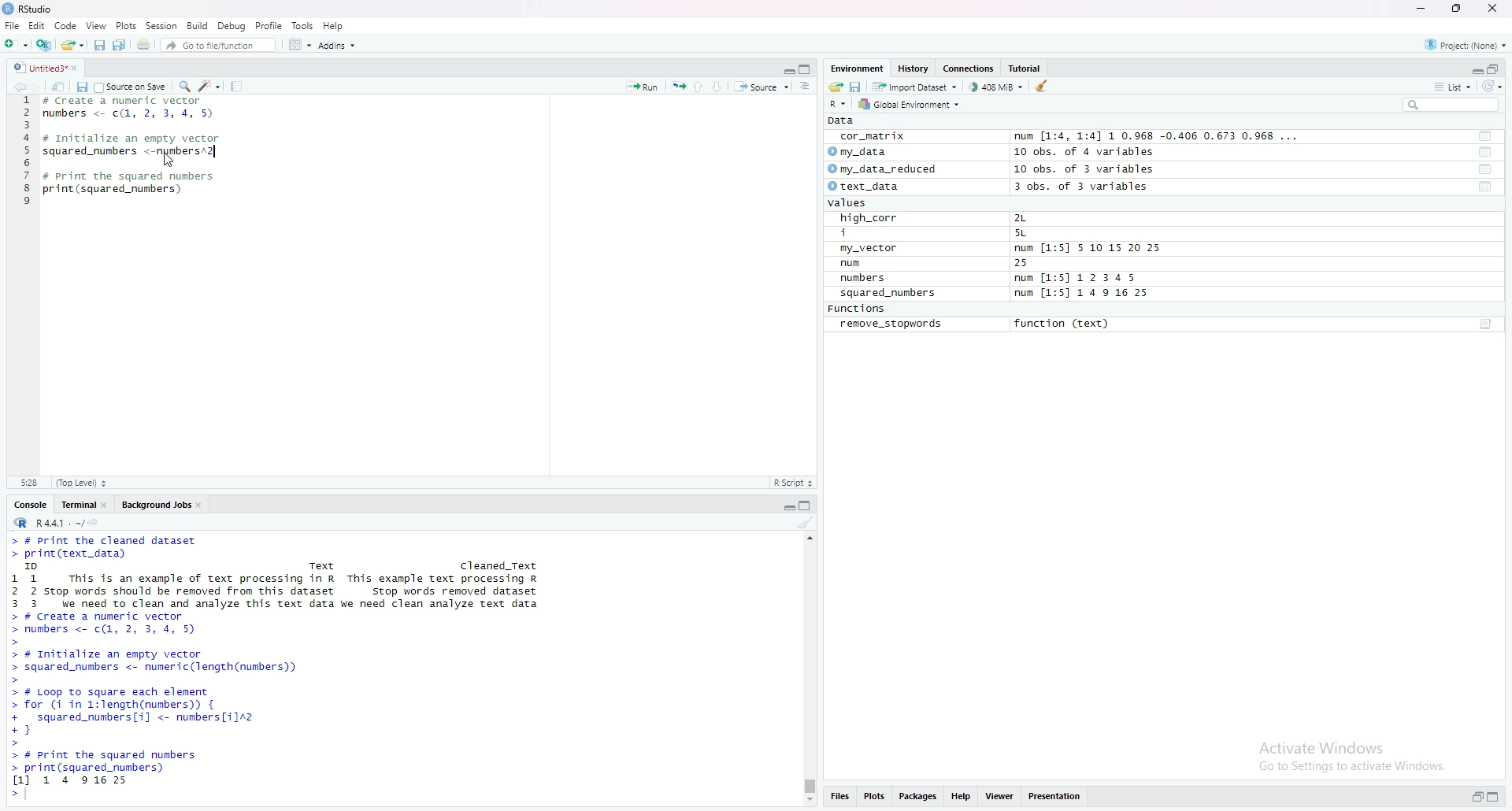 Image resolution: width=1512 pixels, height=811 pixels. I want to click on Document outline, so click(806, 86).